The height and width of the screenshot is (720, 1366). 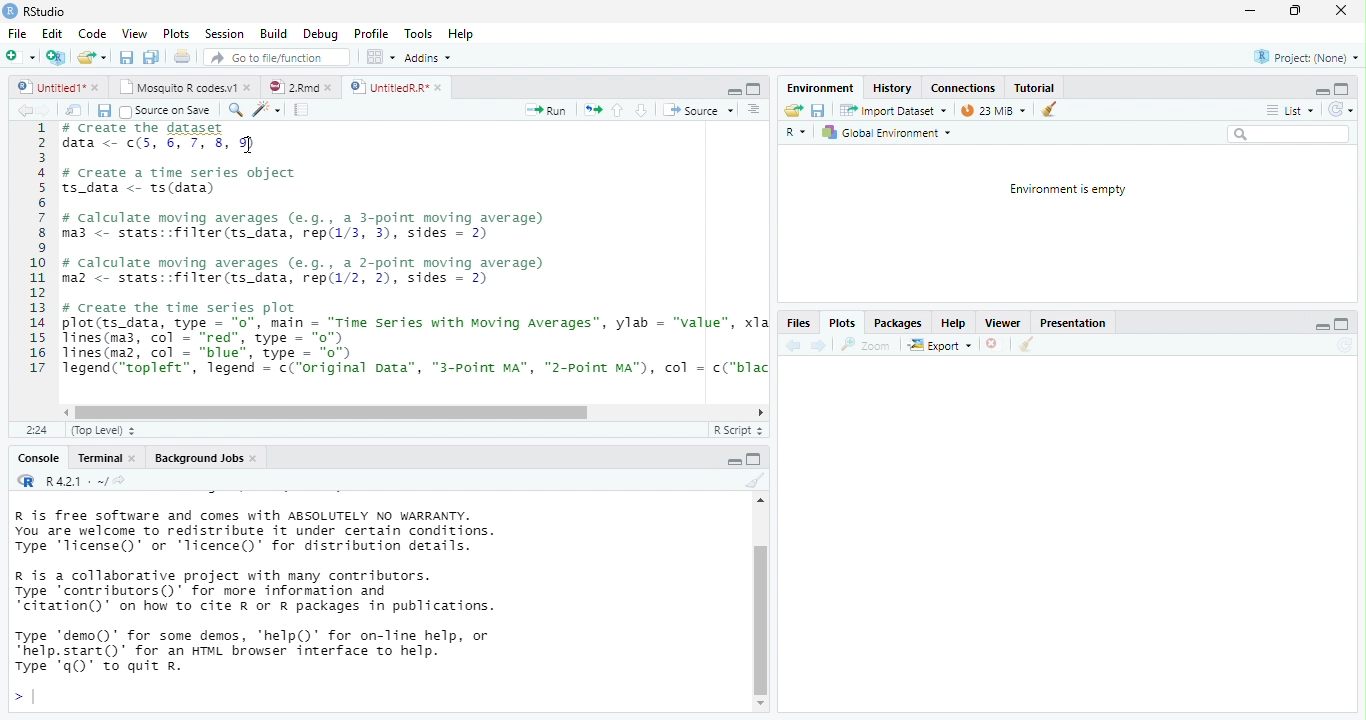 What do you see at coordinates (460, 34) in the screenshot?
I see `Hep` at bounding box center [460, 34].